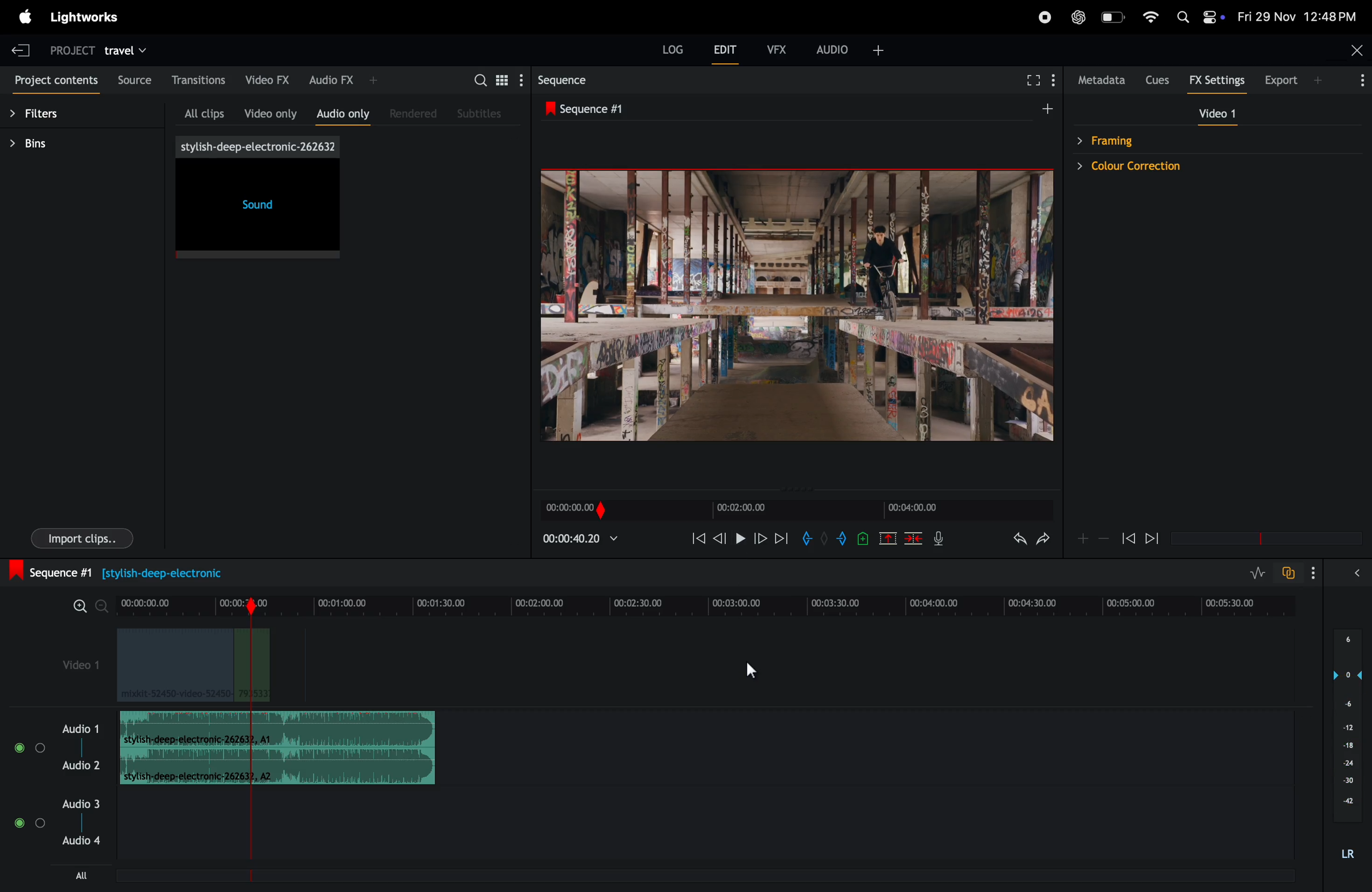  Describe the element at coordinates (1155, 538) in the screenshot. I see `next frame` at that location.